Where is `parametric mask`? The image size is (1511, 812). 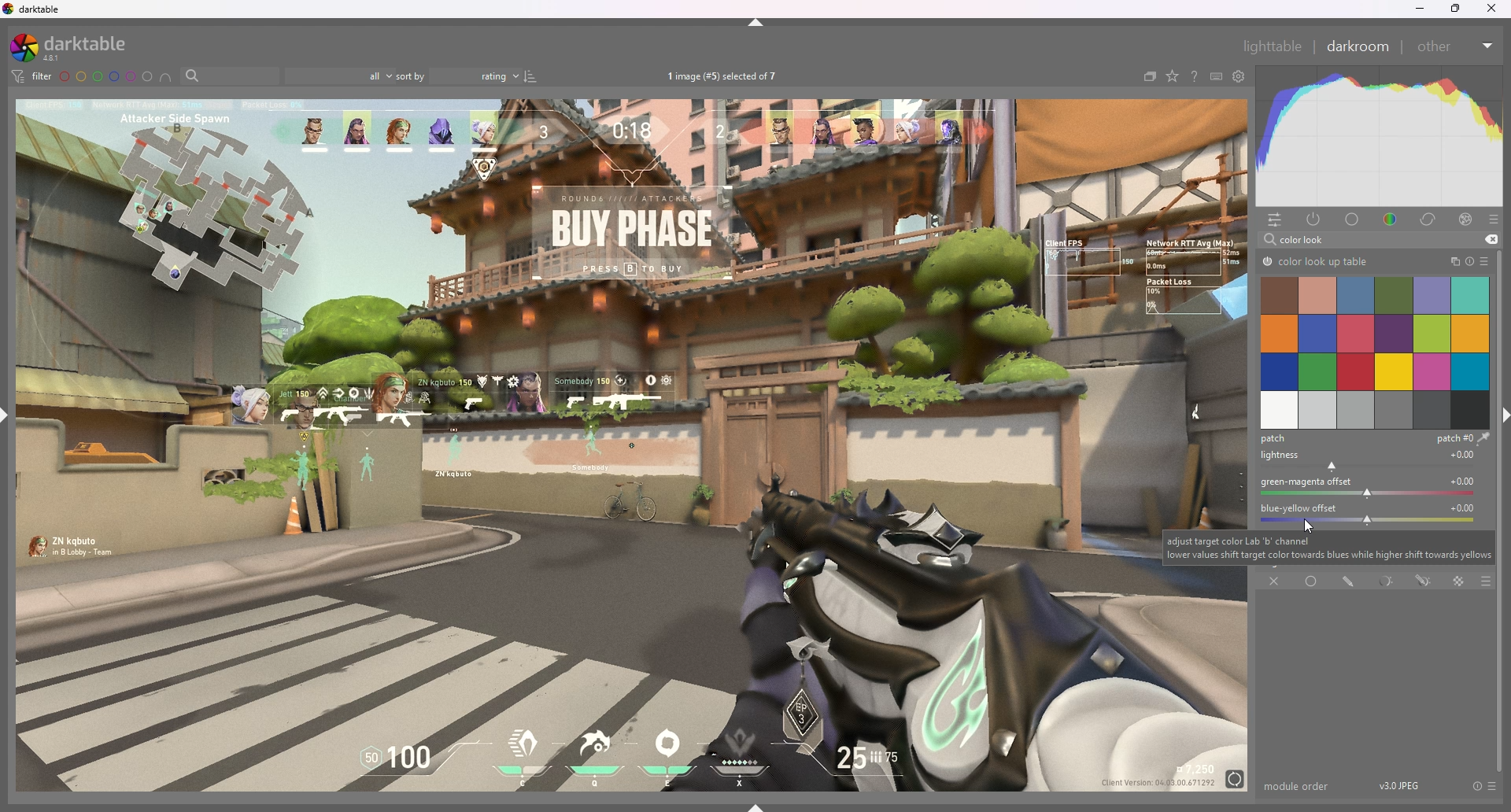
parametric mask is located at coordinates (1387, 581).